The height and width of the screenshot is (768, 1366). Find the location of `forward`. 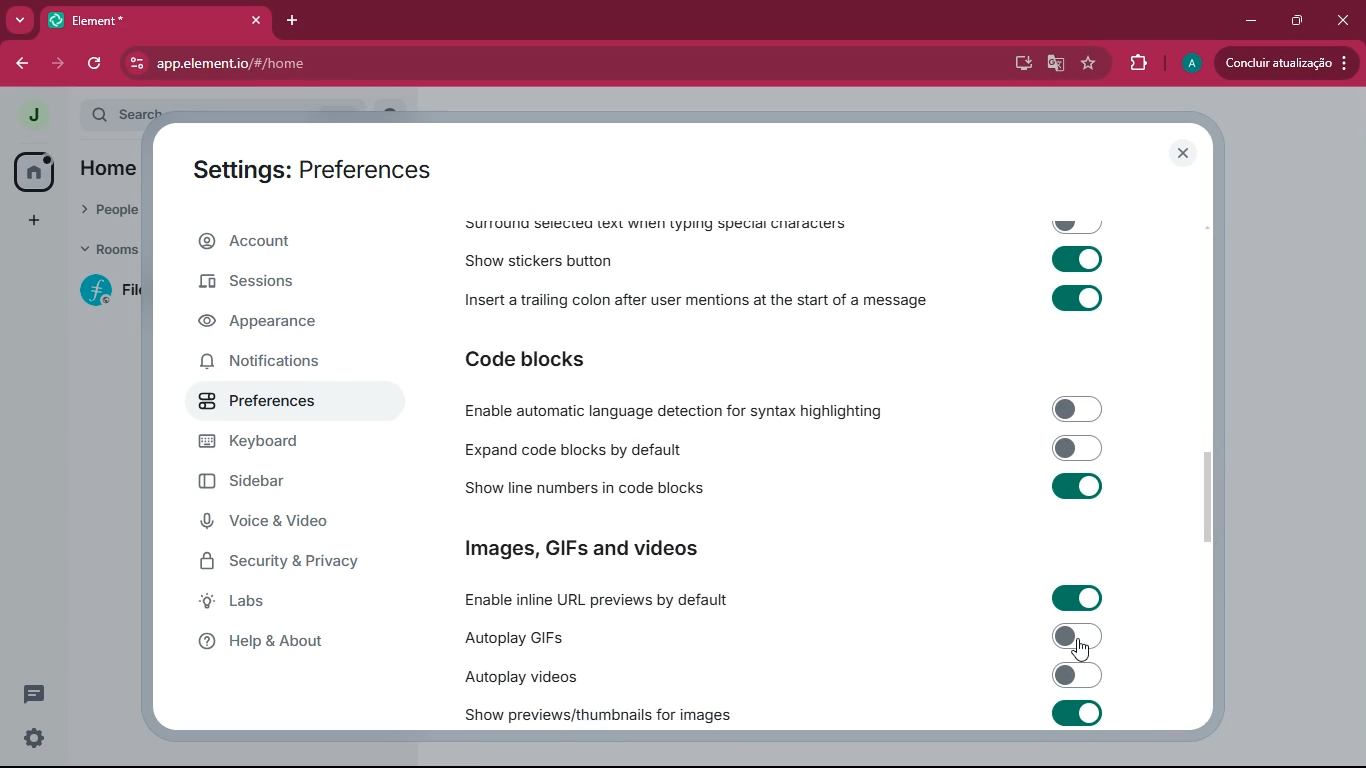

forward is located at coordinates (58, 62).